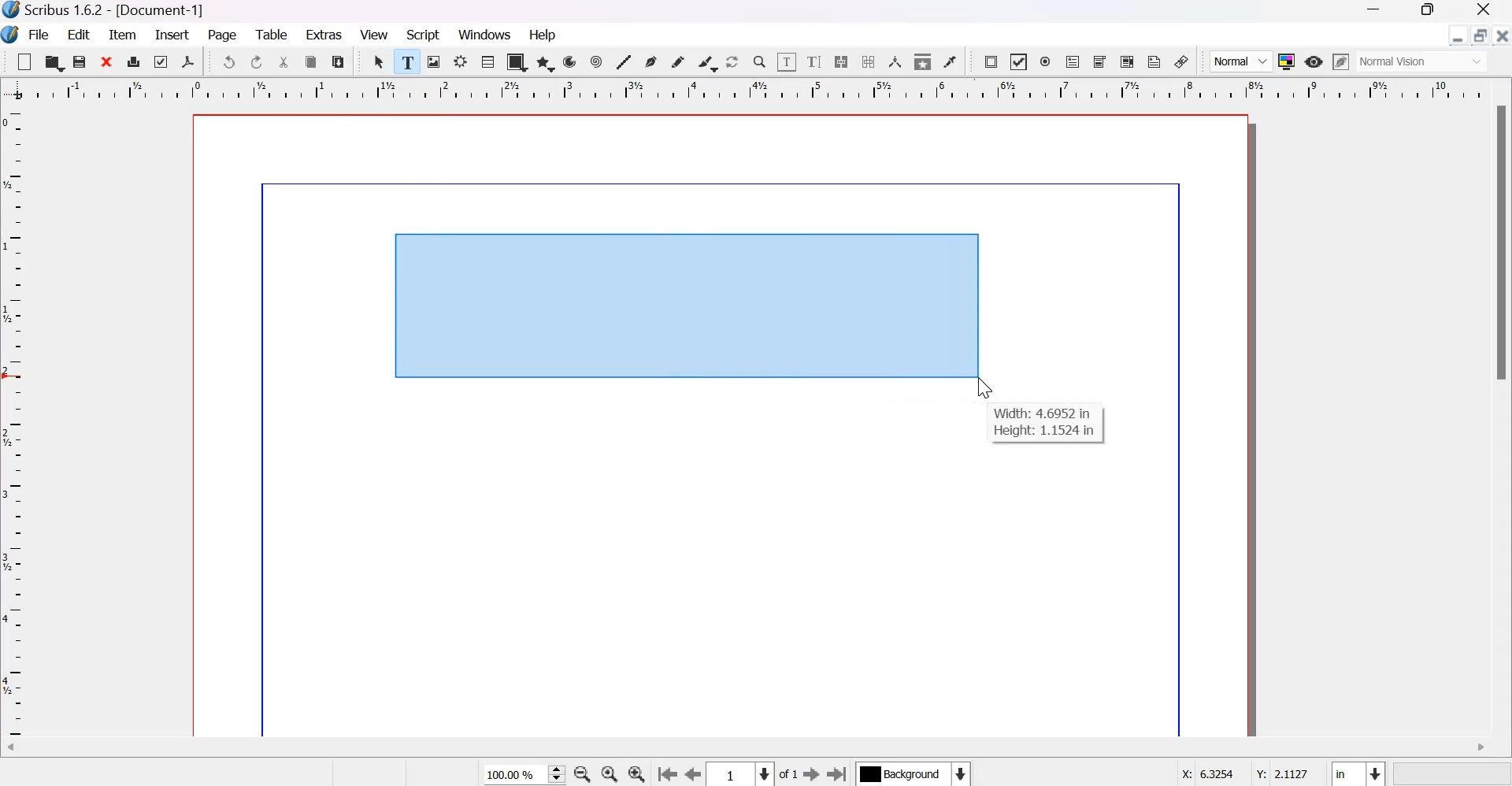 The height and width of the screenshot is (786, 1512). What do you see at coordinates (759, 61) in the screenshot?
I see `` at bounding box center [759, 61].